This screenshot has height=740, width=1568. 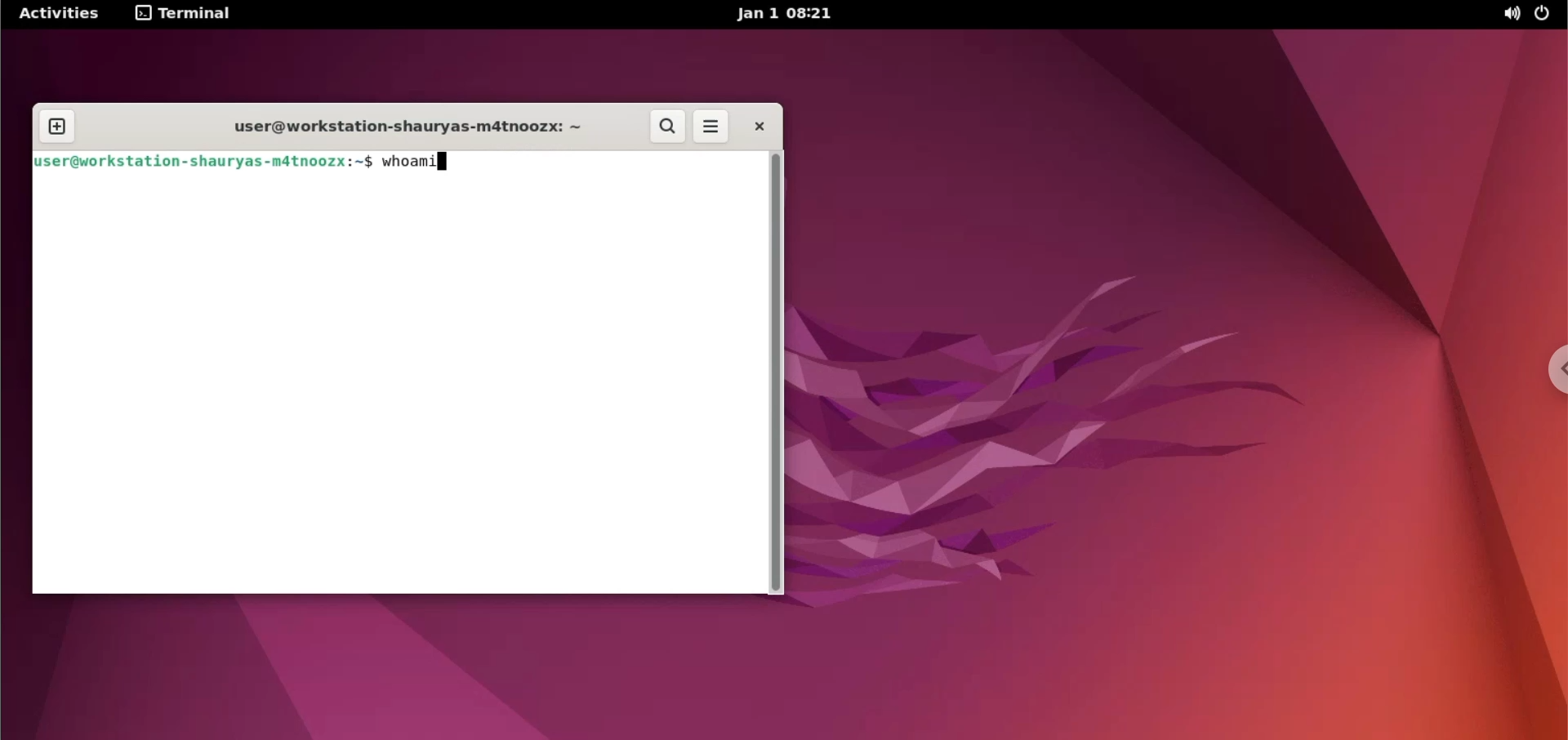 I want to click on scrollbar, so click(x=777, y=373).